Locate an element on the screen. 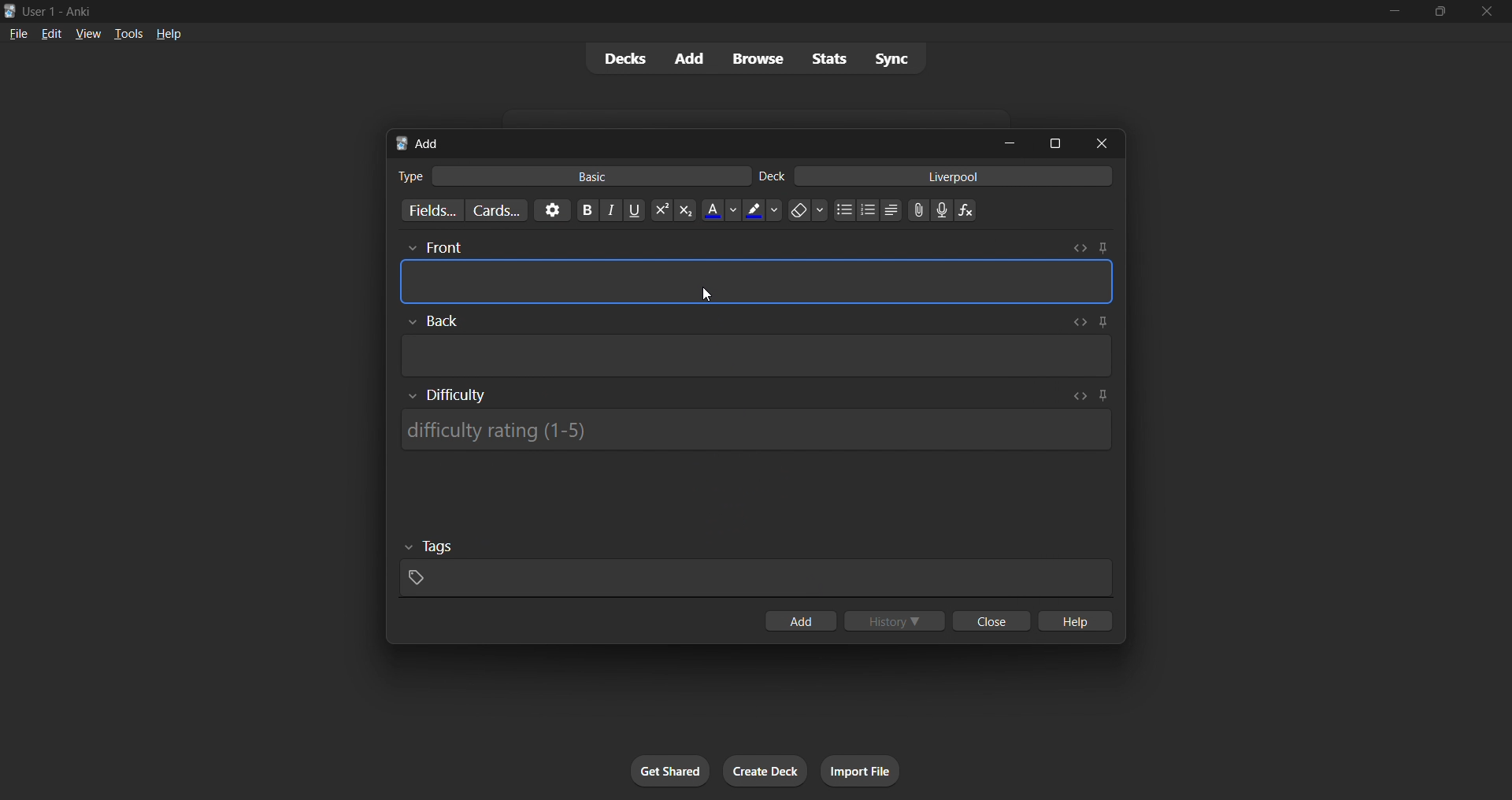  browse is located at coordinates (758, 58).